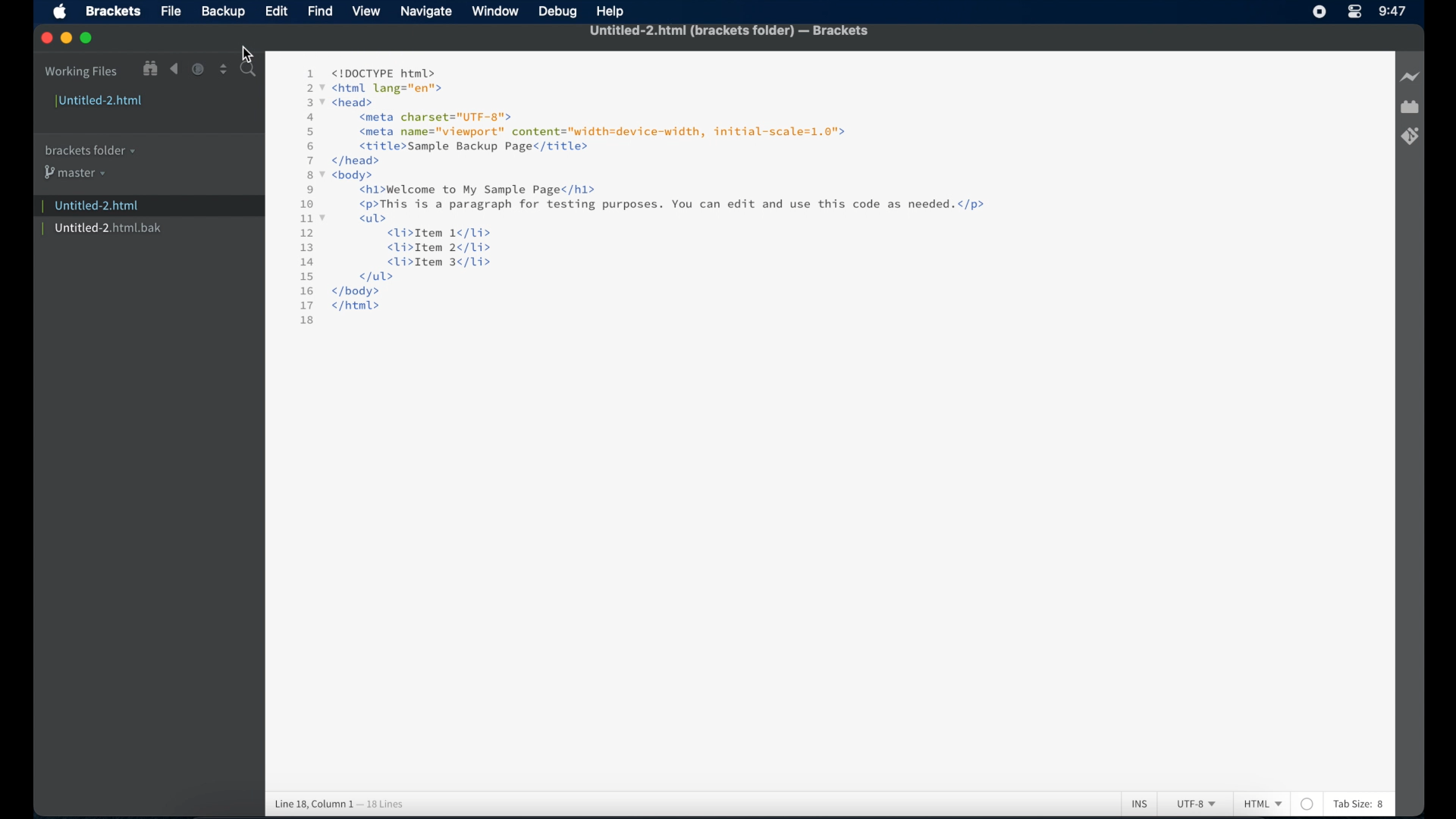  Describe the element at coordinates (1410, 136) in the screenshot. I see `brackets git` at that location.